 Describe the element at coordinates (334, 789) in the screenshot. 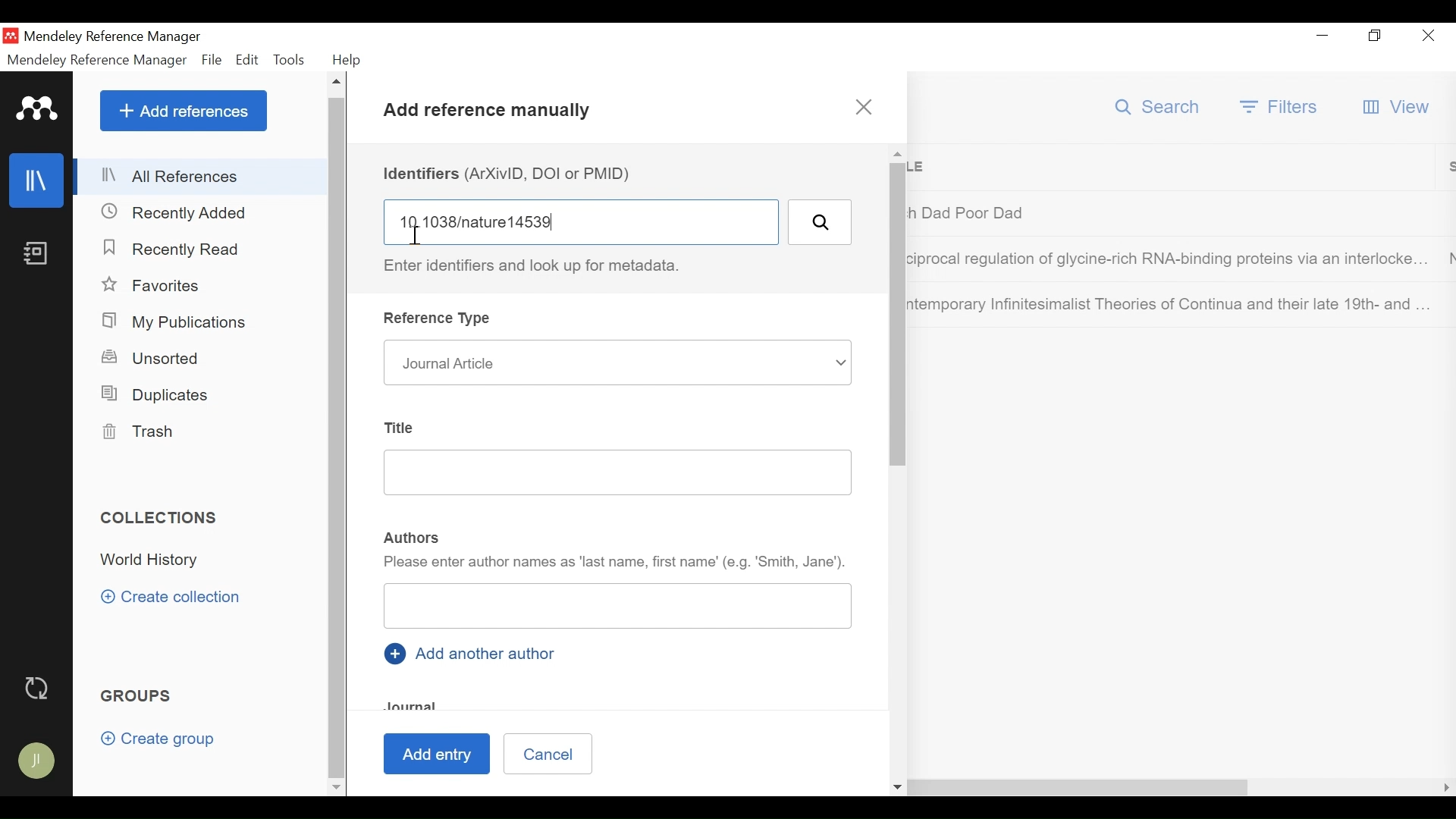

I see `Scroll down` at that location.